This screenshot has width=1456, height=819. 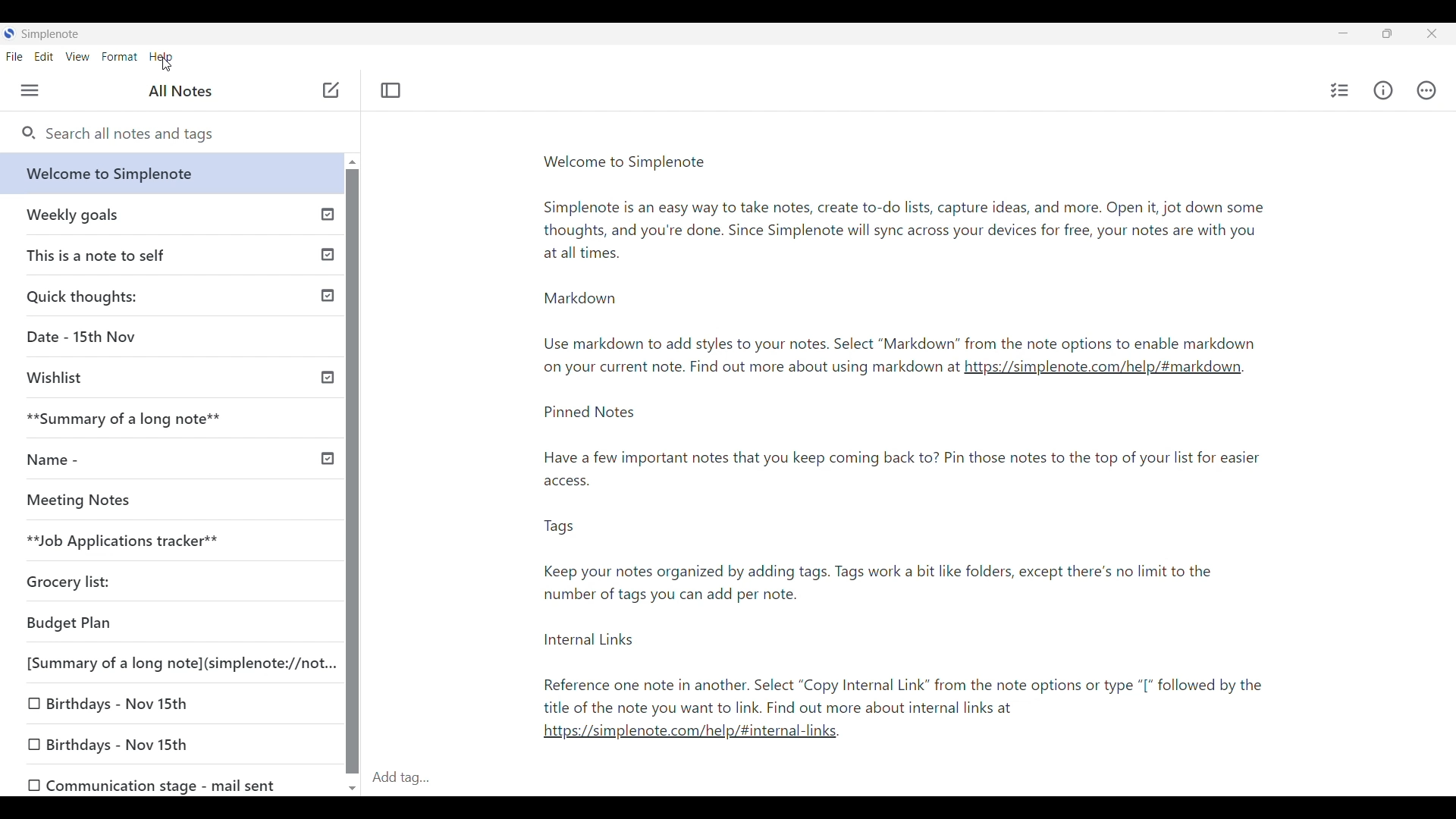 I want to click on [Summary of a long note](simplenote://not, so click(x=171, y=664).